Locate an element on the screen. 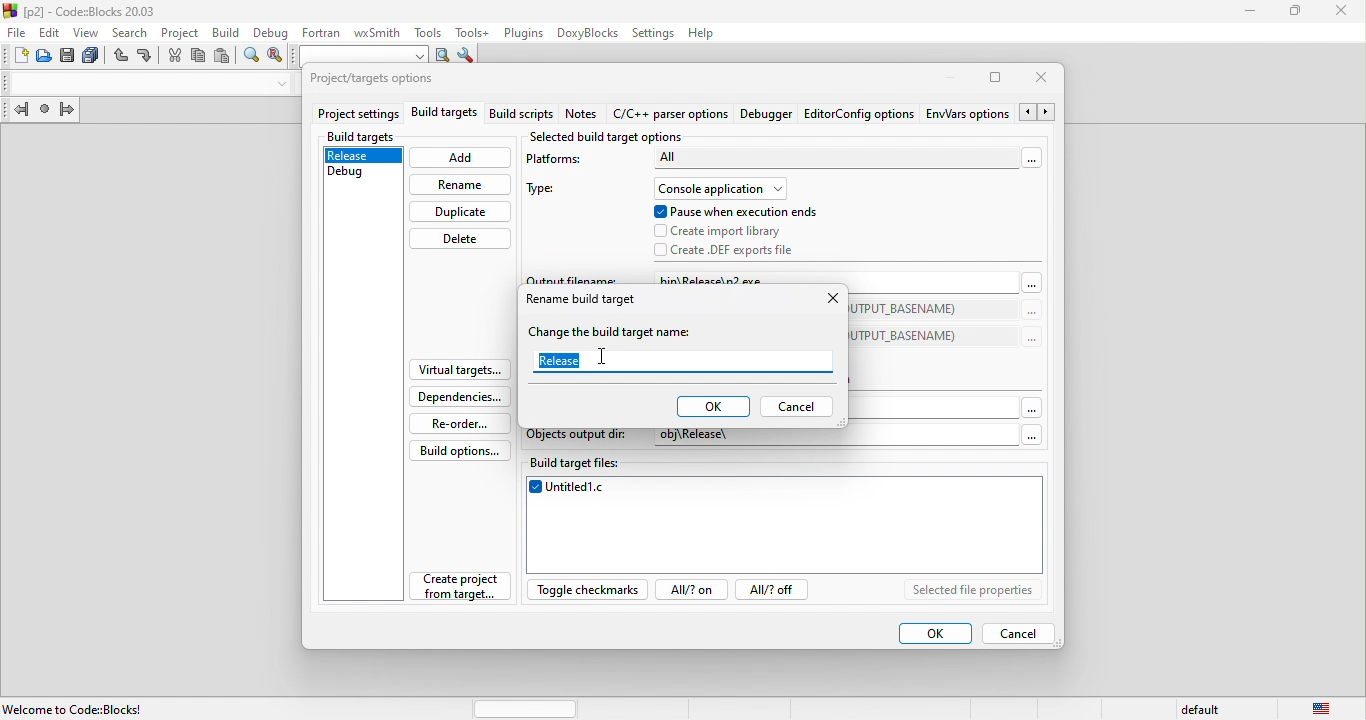 Image resolution: width=1366 pixels, height=720 pixels. maximize is located at coordinates (1296, 12).